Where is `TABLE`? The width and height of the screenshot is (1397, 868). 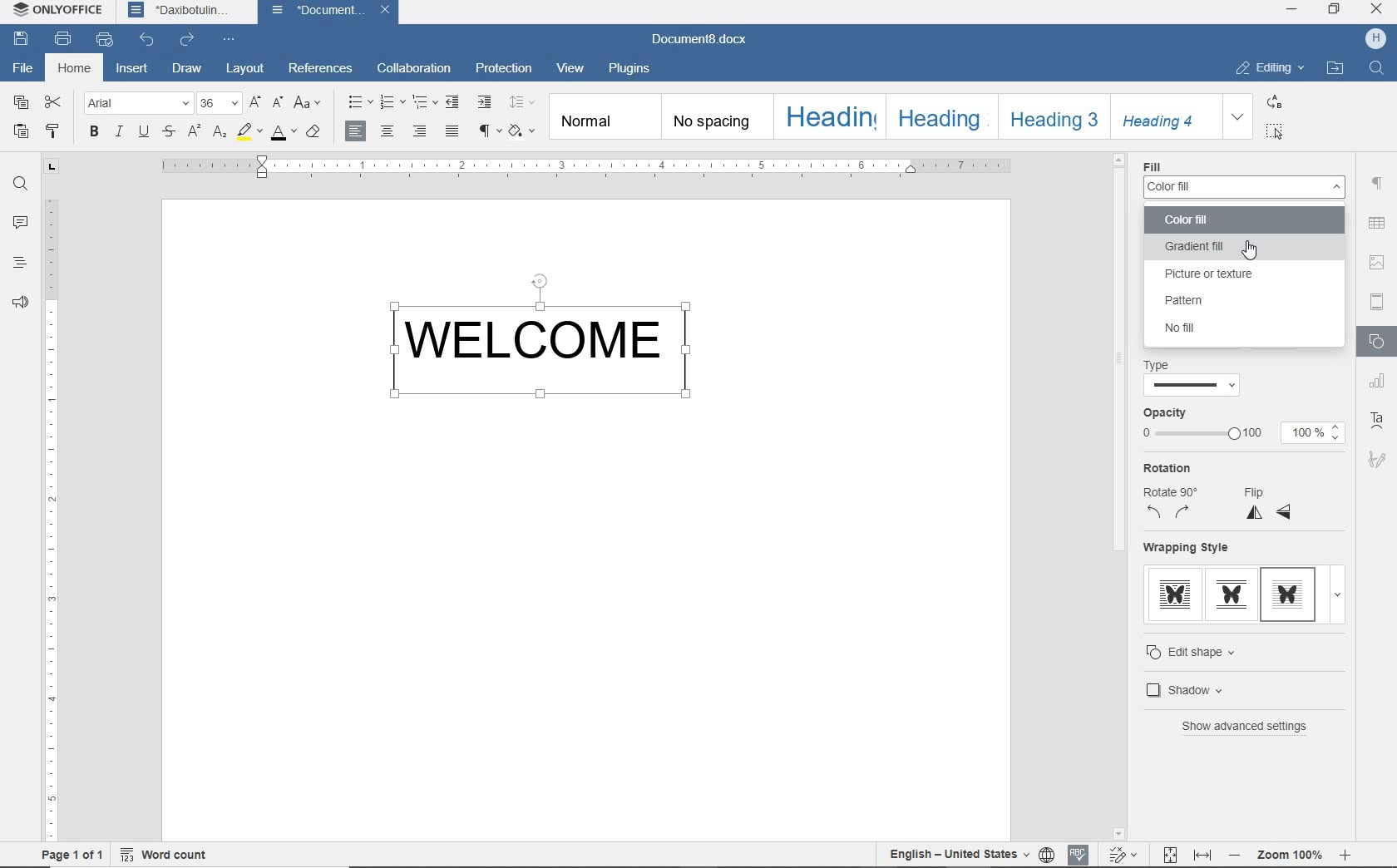 TABLE is located at coordinates (1376, 223).